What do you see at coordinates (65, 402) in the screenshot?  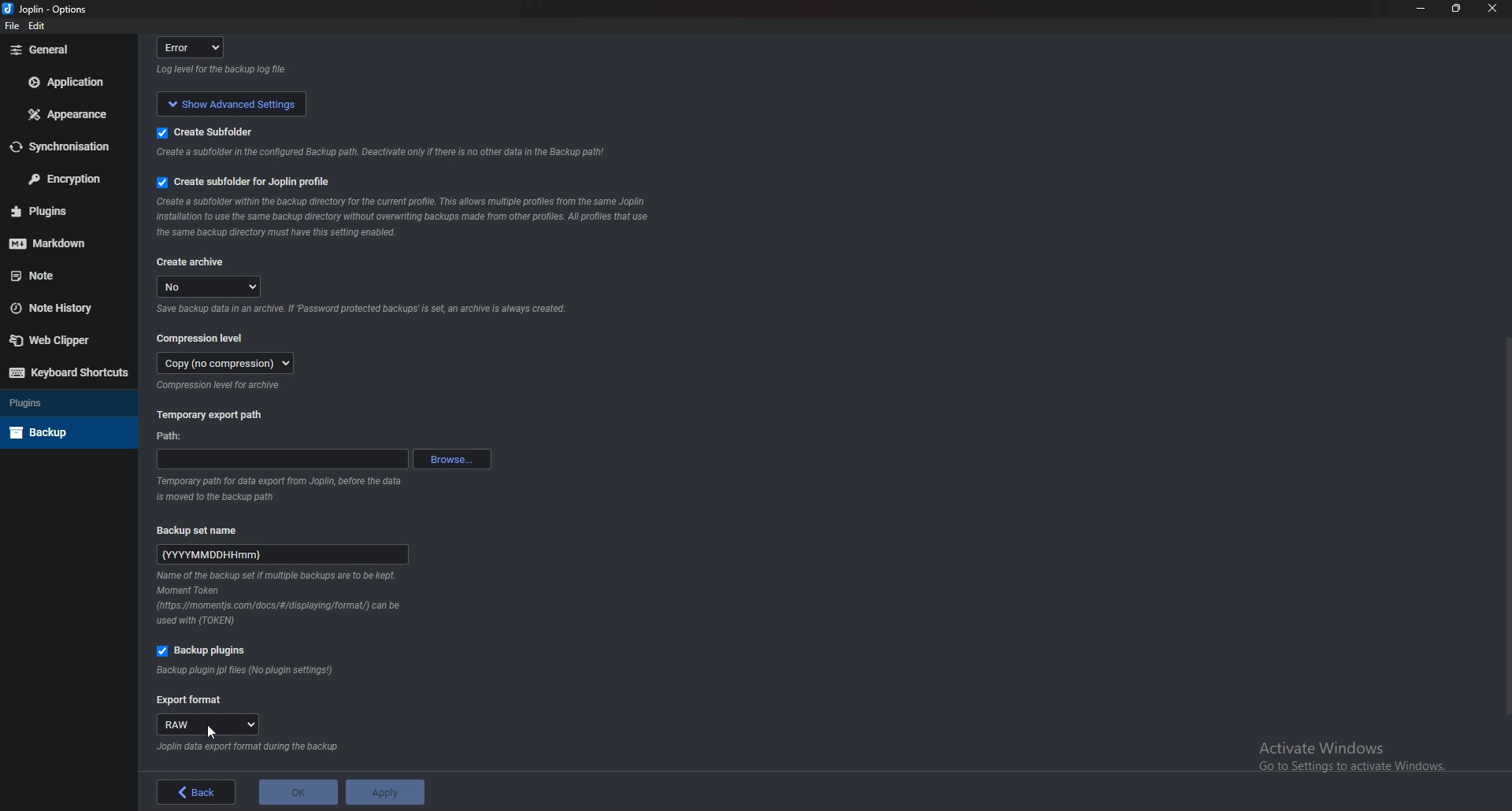 I see `Plugins` at bounding box center [65, 402].